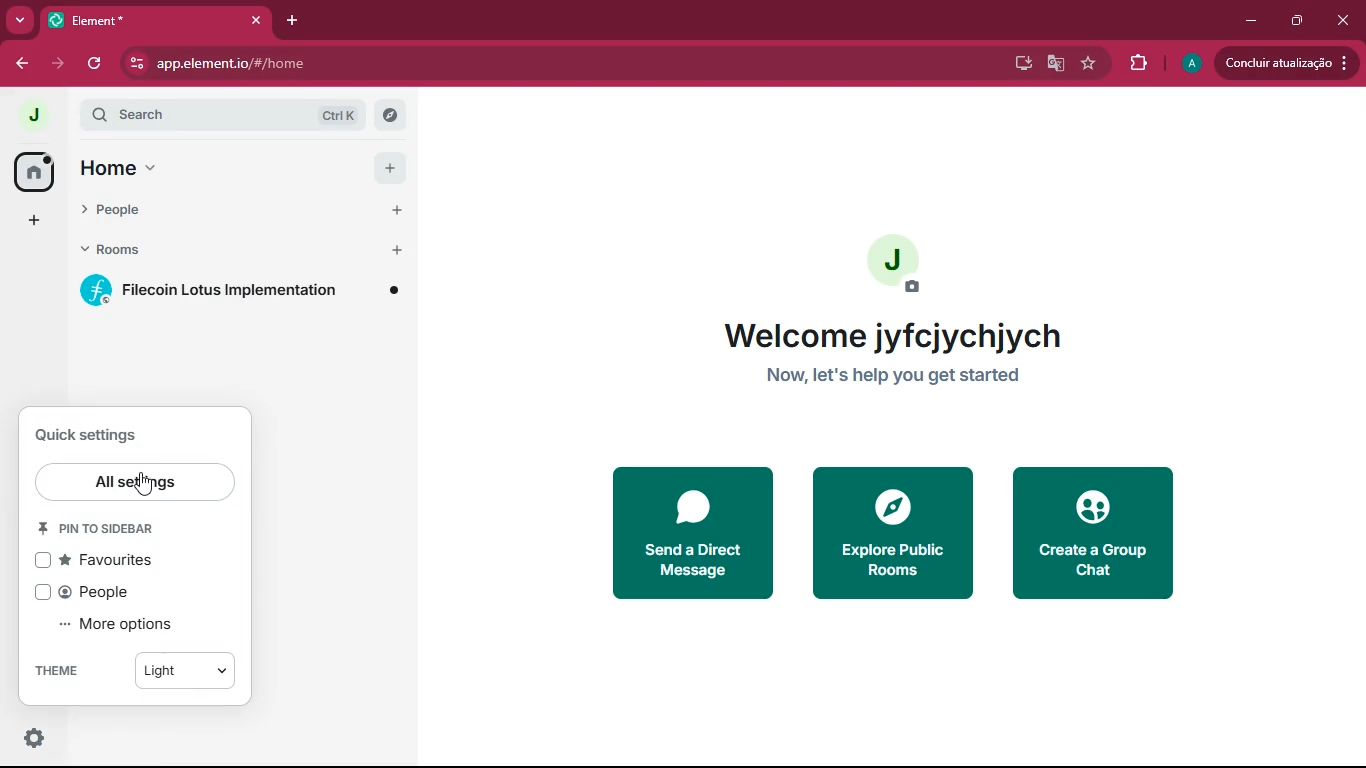 The width and height of the screenshot is (1366, 768). Describe the element at coordinates (186, 670) in the screenshot. I see `light` at that location.